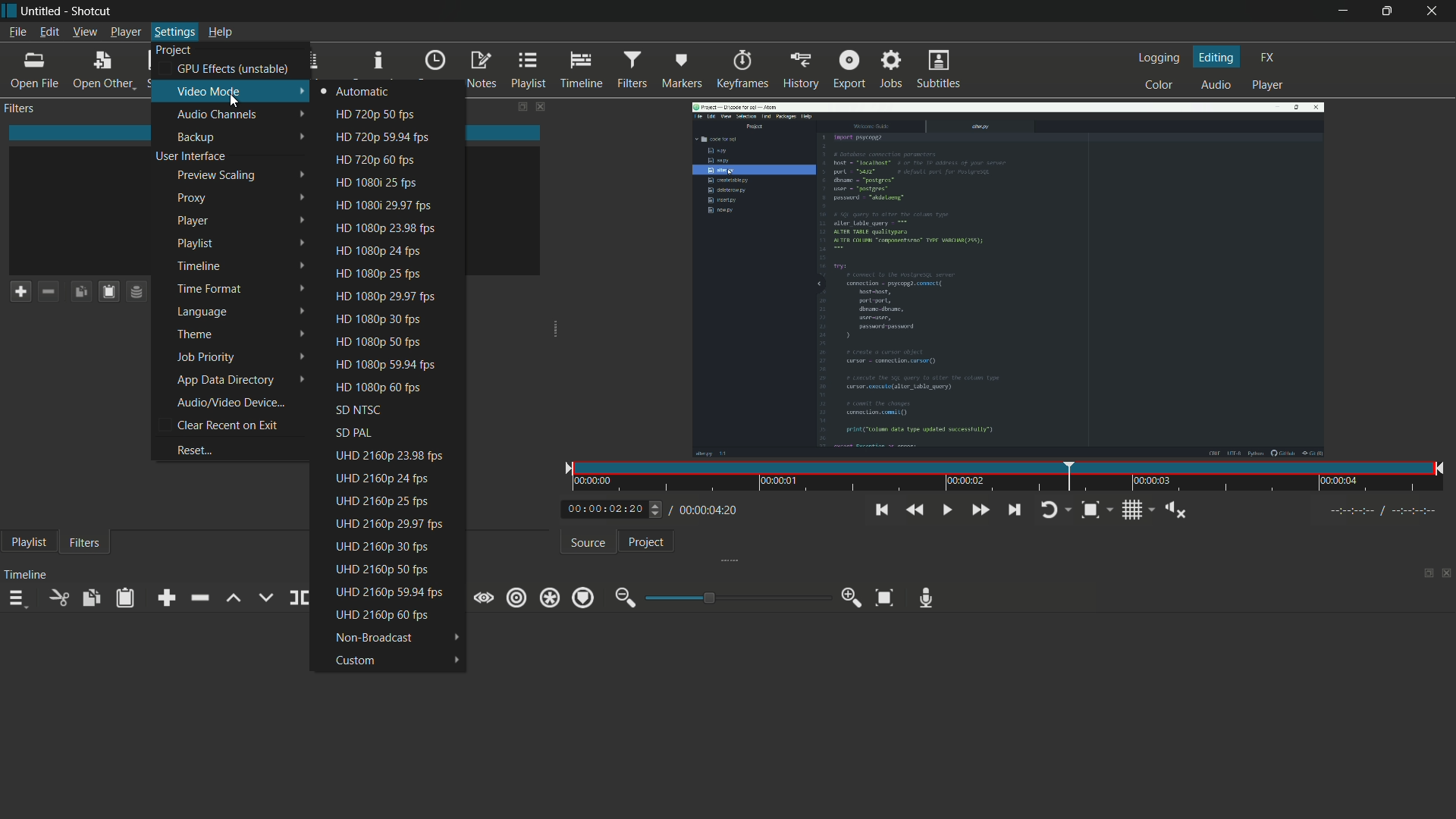  What do you see at coordinates (93, 11) in the screenshot?
I see `app name` at bounding box center [93, 11].